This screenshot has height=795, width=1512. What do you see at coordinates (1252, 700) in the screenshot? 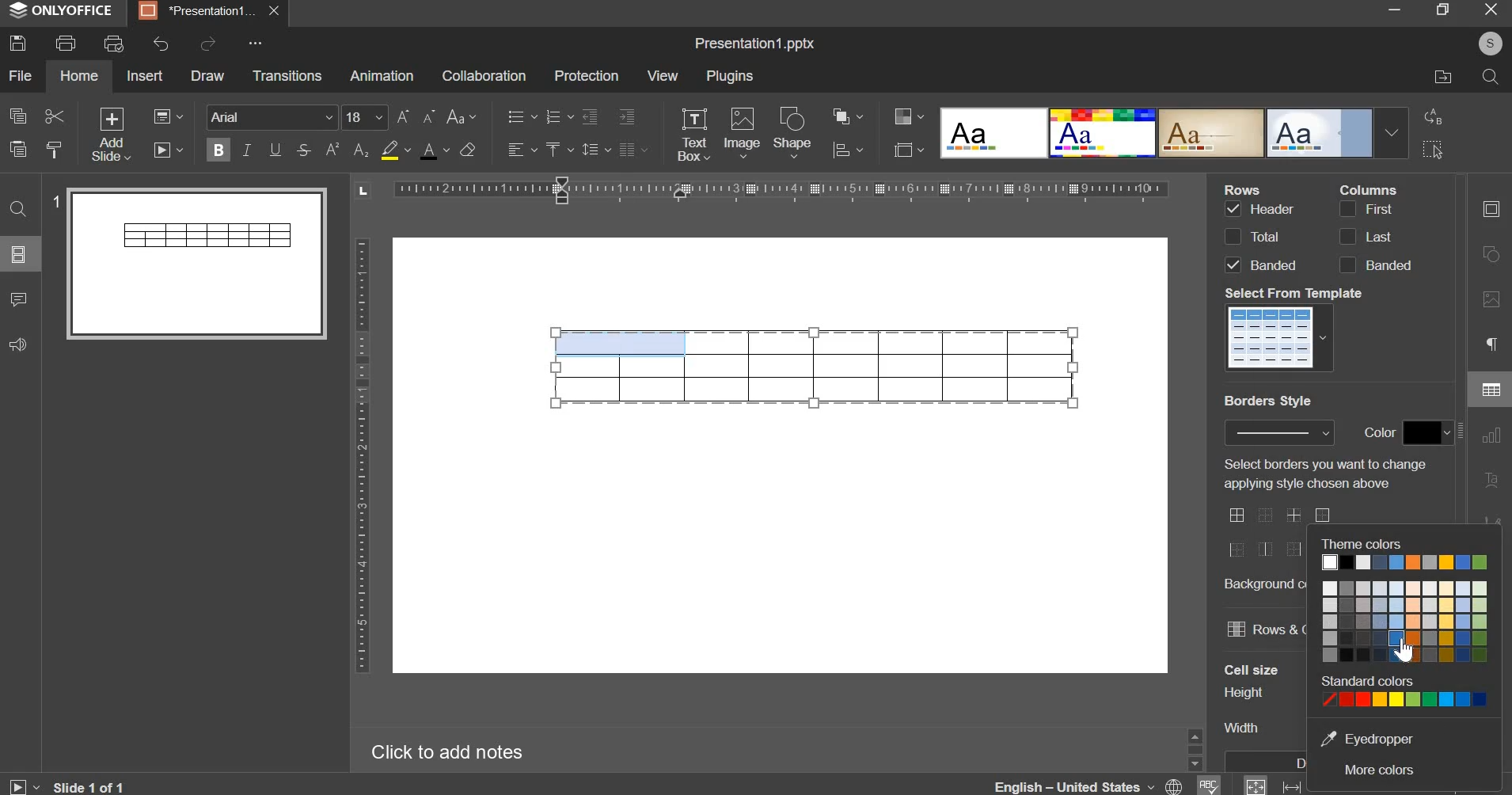
I see `Cell size's column` at bounding box center [1252, 700].